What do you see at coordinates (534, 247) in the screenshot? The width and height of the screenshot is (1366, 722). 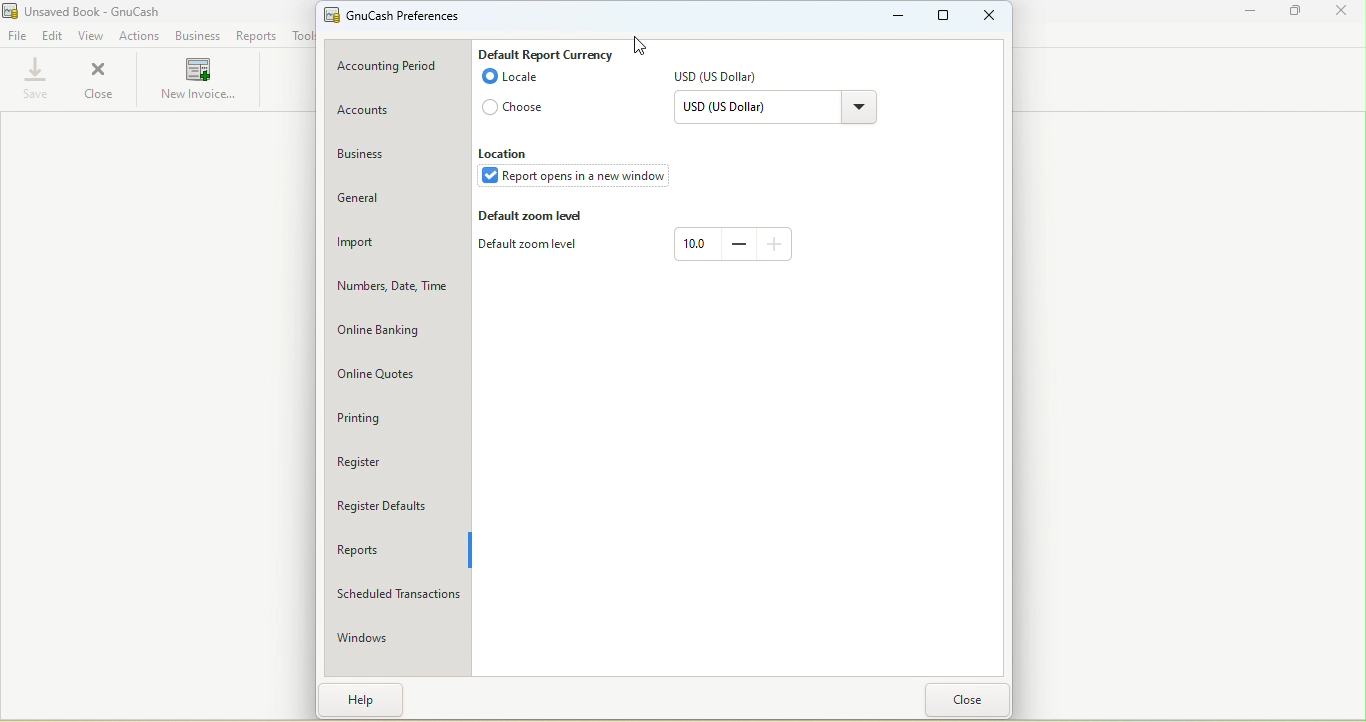 I see `Default zoom level` at bounding box center [534, 247].